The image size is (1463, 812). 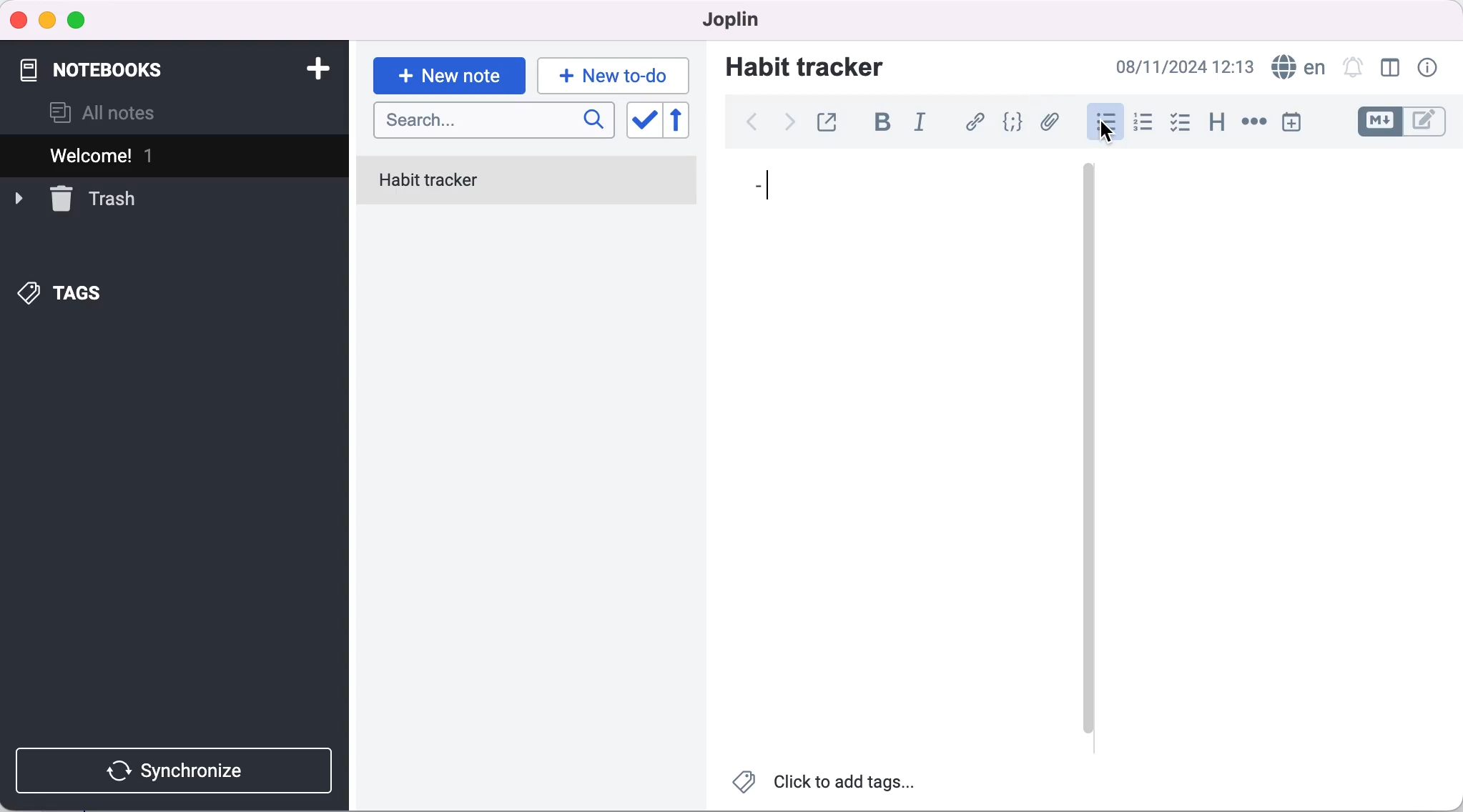 What do you see at coordinates (1296, 67) in the screenshot?
I see `language` at bounding box center [1296, 67].